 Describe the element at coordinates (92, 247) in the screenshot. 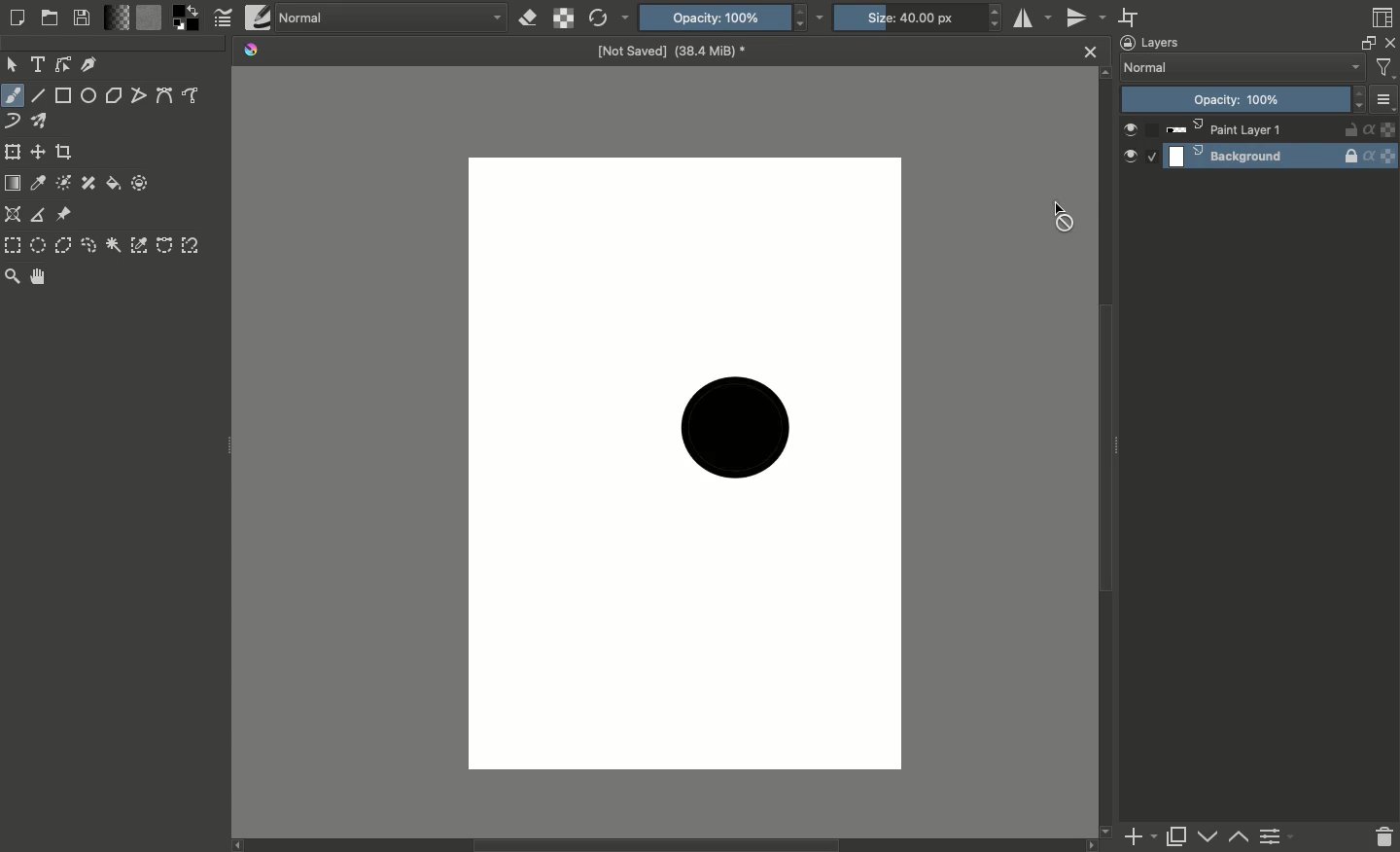

I see `Freehand selection tool` at that location.